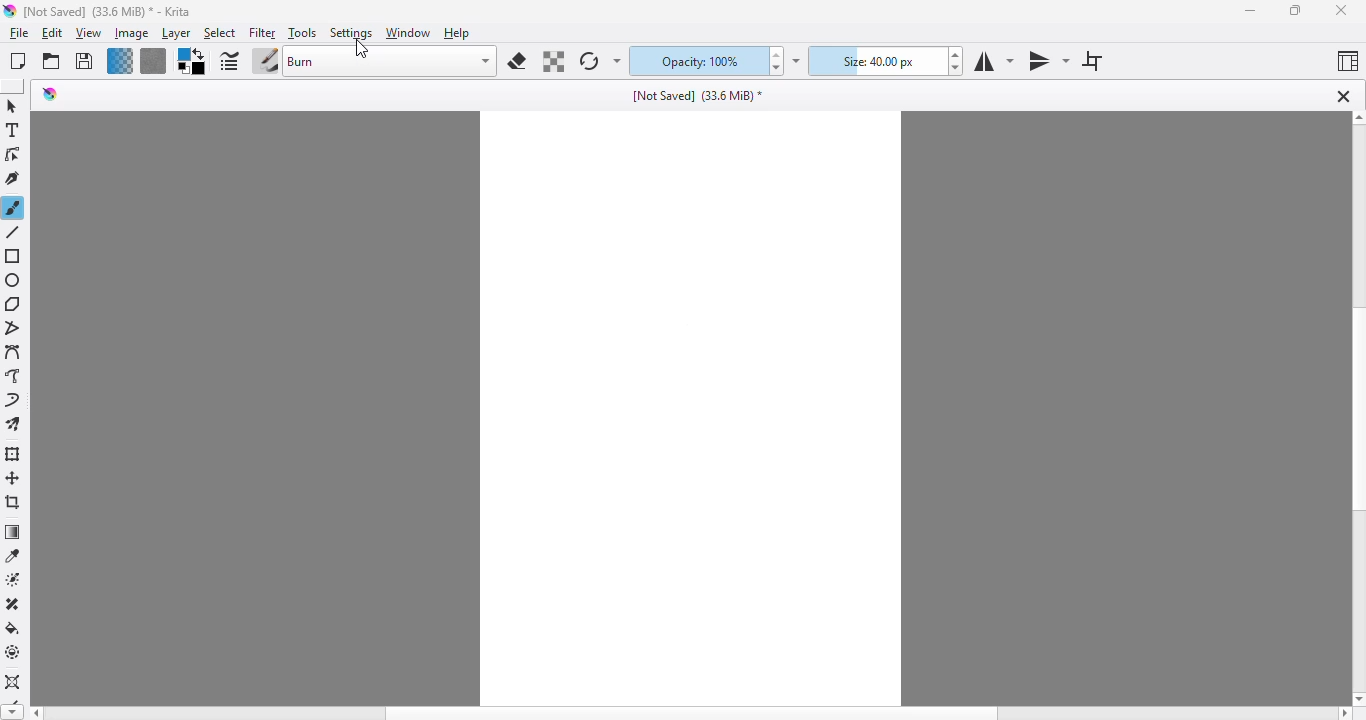 The image size is (1366, 720). What do you see at coordinates (11, 106) in the screenshot?
I see `select shapes tool` at bounding box center [11, 106].